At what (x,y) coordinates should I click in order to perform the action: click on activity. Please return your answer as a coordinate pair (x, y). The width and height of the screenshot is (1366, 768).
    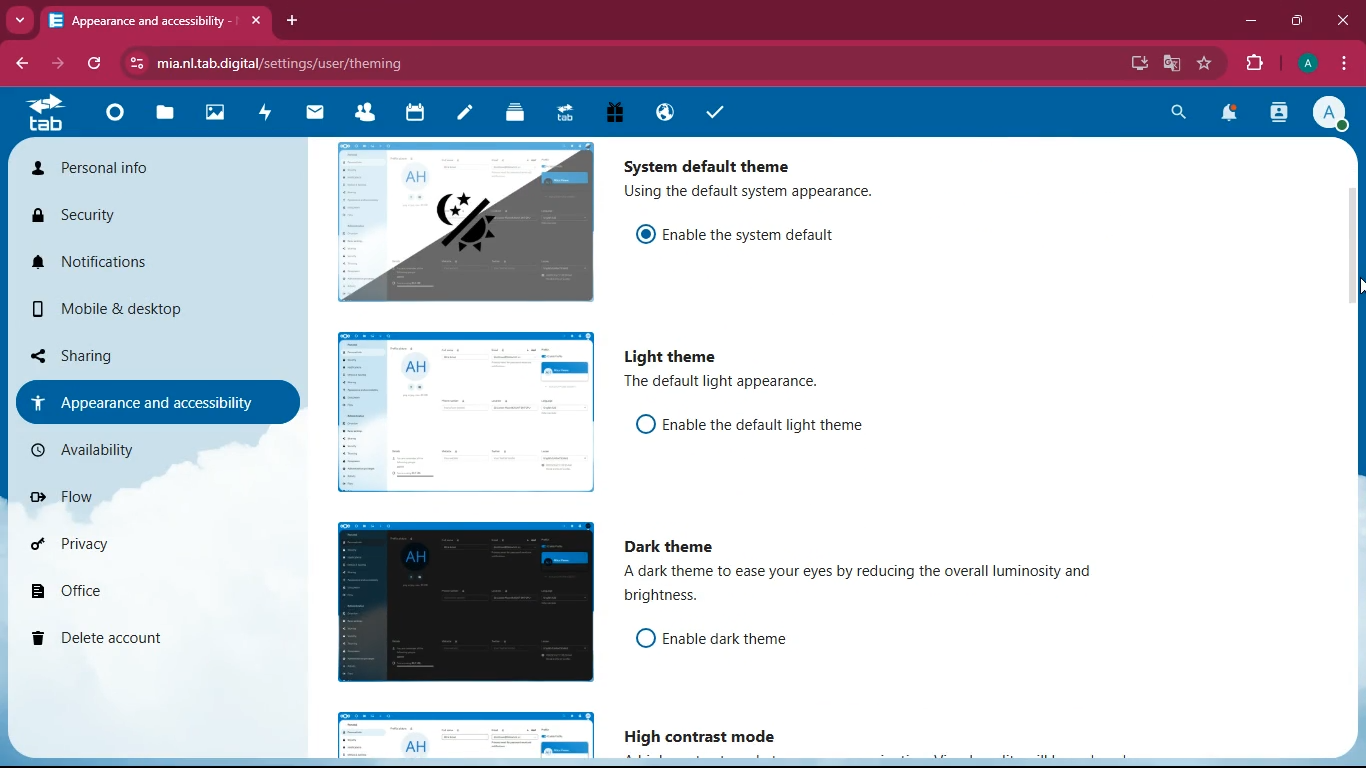
    Looking at the image, I should click on (266, 112).